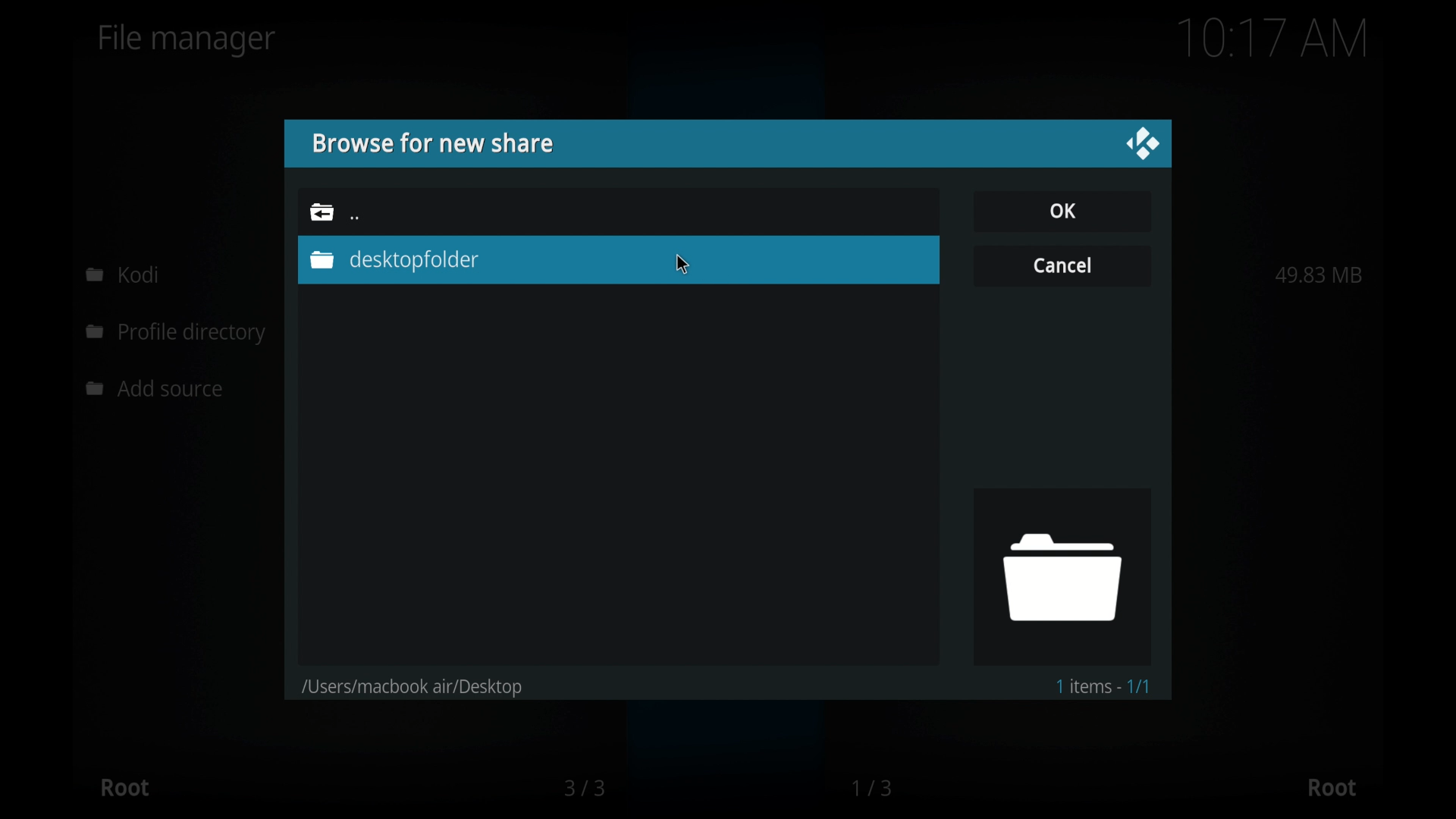  Describe the element at coordinates (413, 688) in the screenshot. I see `folder location` at that location.